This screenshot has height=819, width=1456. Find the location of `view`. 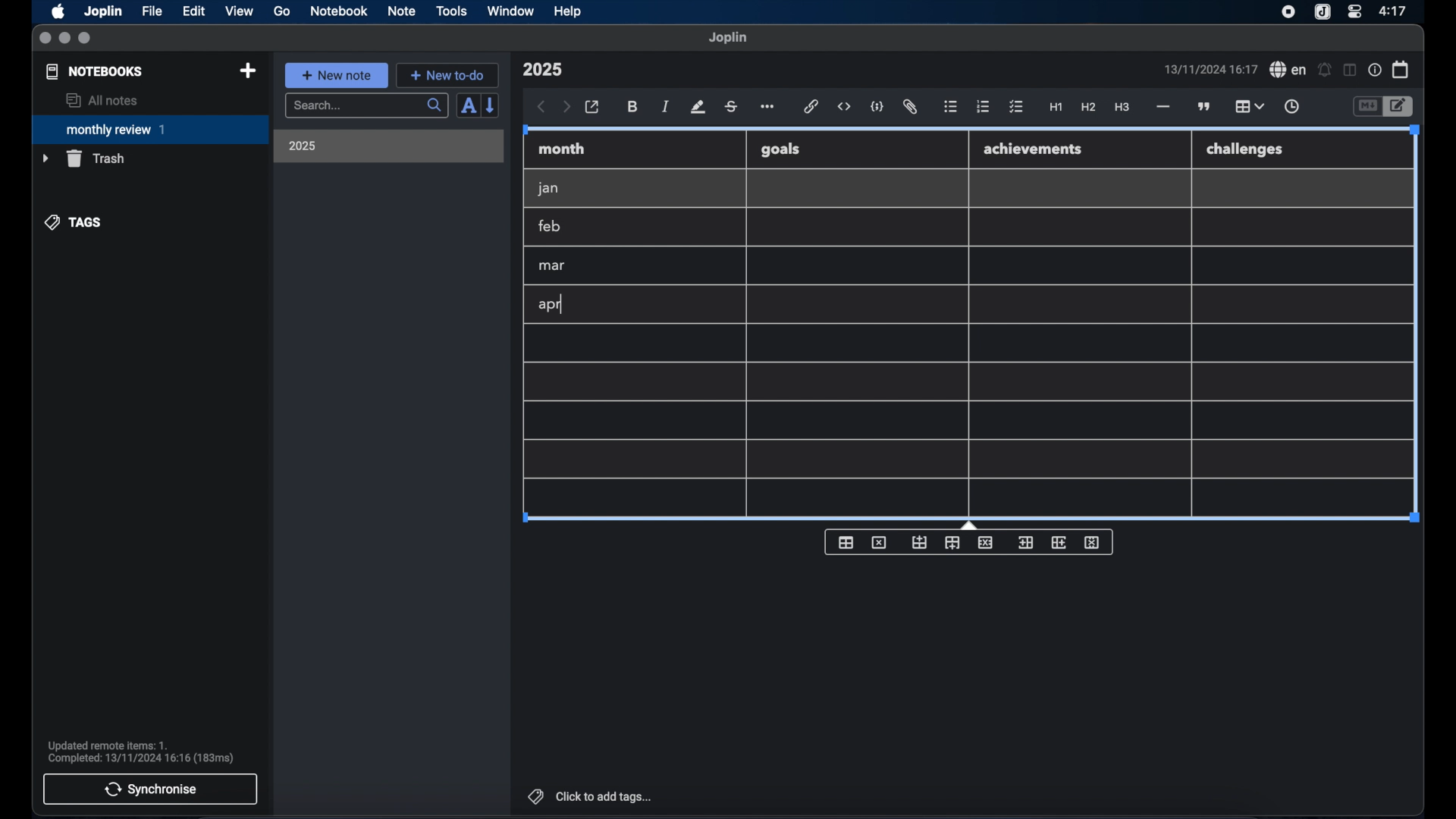

view is located at coordinates (239, 11).